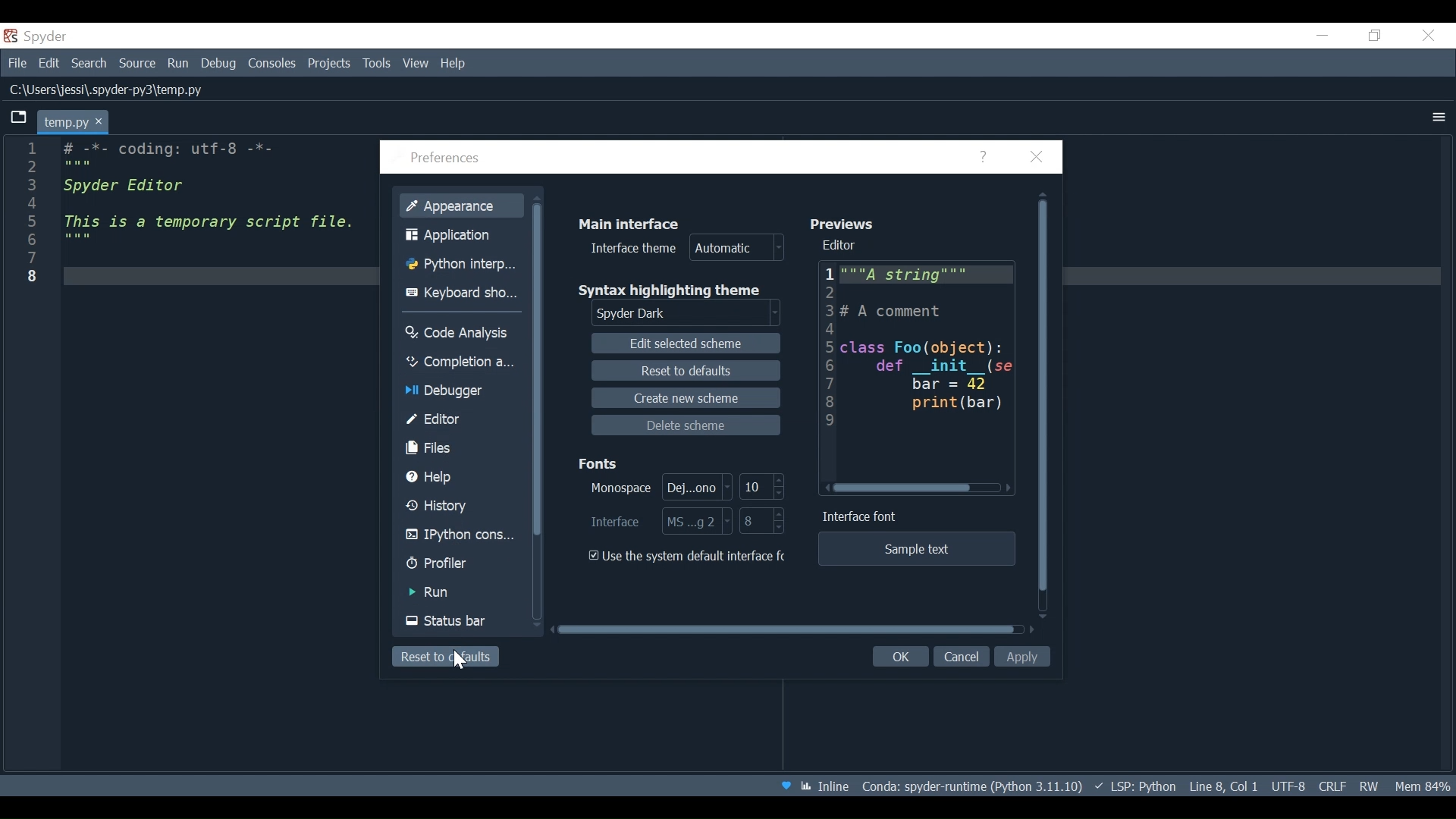  I want to click on Appearance, so click(463, 204).